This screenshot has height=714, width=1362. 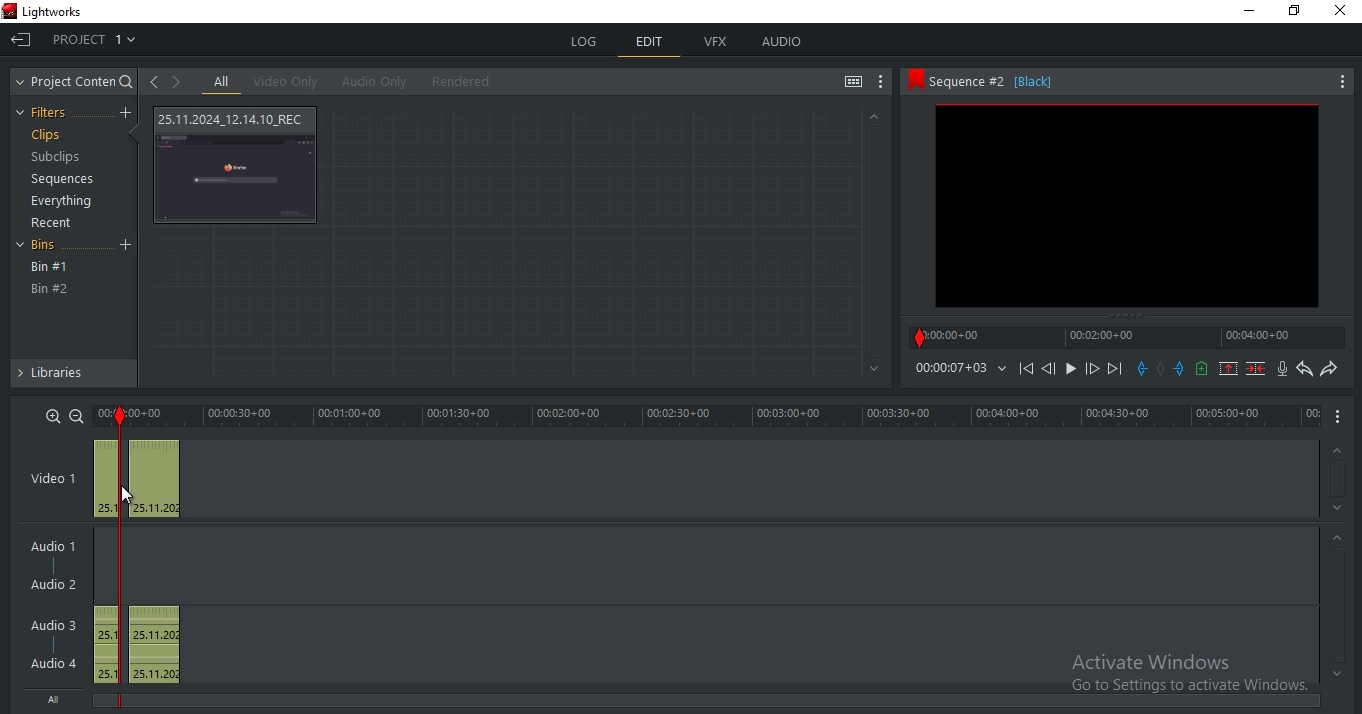 I want to click on Audio 3, so click(x=51, y=623).